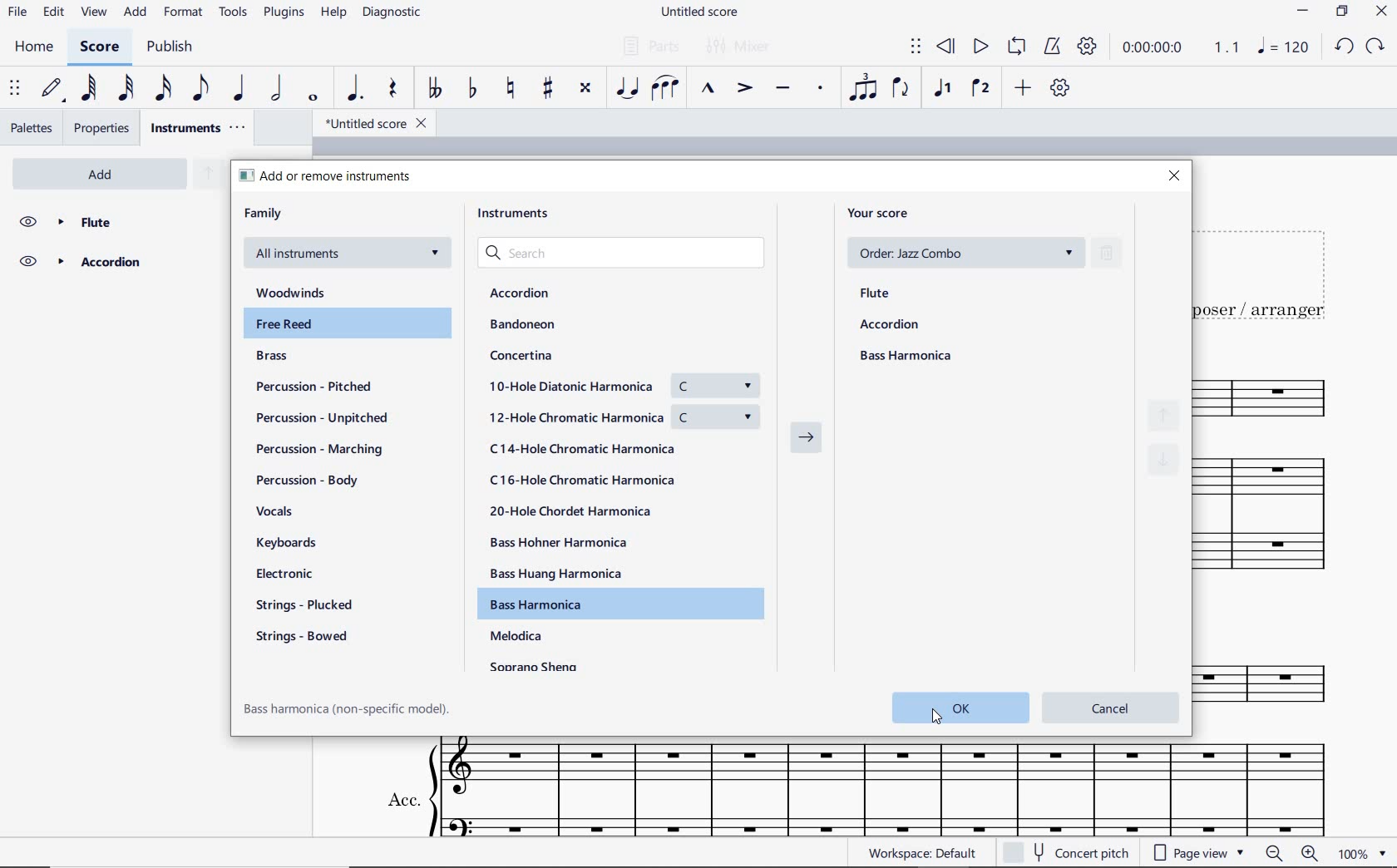  Describe the element at coordinates (296, 542) in the screenshot. I see `keyboards` at that location.